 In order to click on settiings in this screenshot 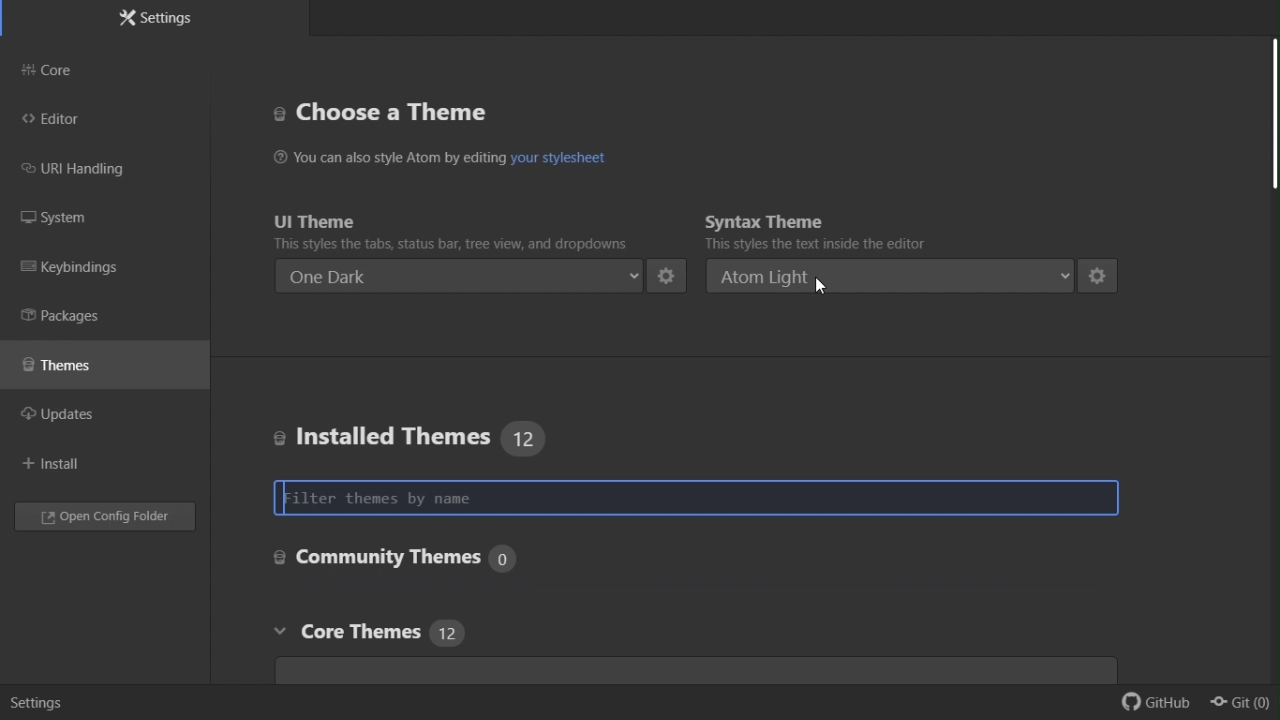, I will do `click(46, 708)`.